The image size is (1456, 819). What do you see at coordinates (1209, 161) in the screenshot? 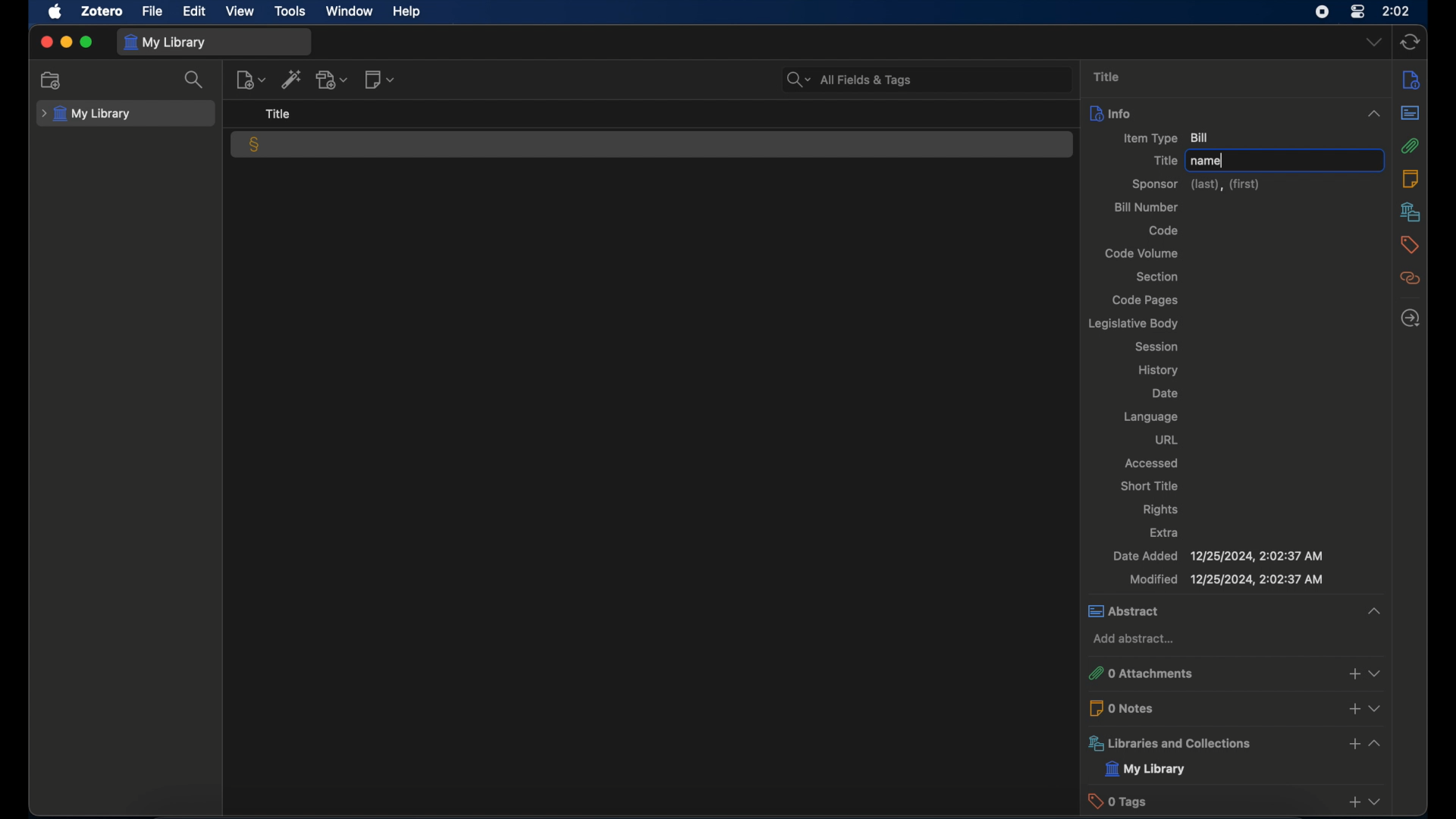
I see `name` at bounding box center [1209, 161].